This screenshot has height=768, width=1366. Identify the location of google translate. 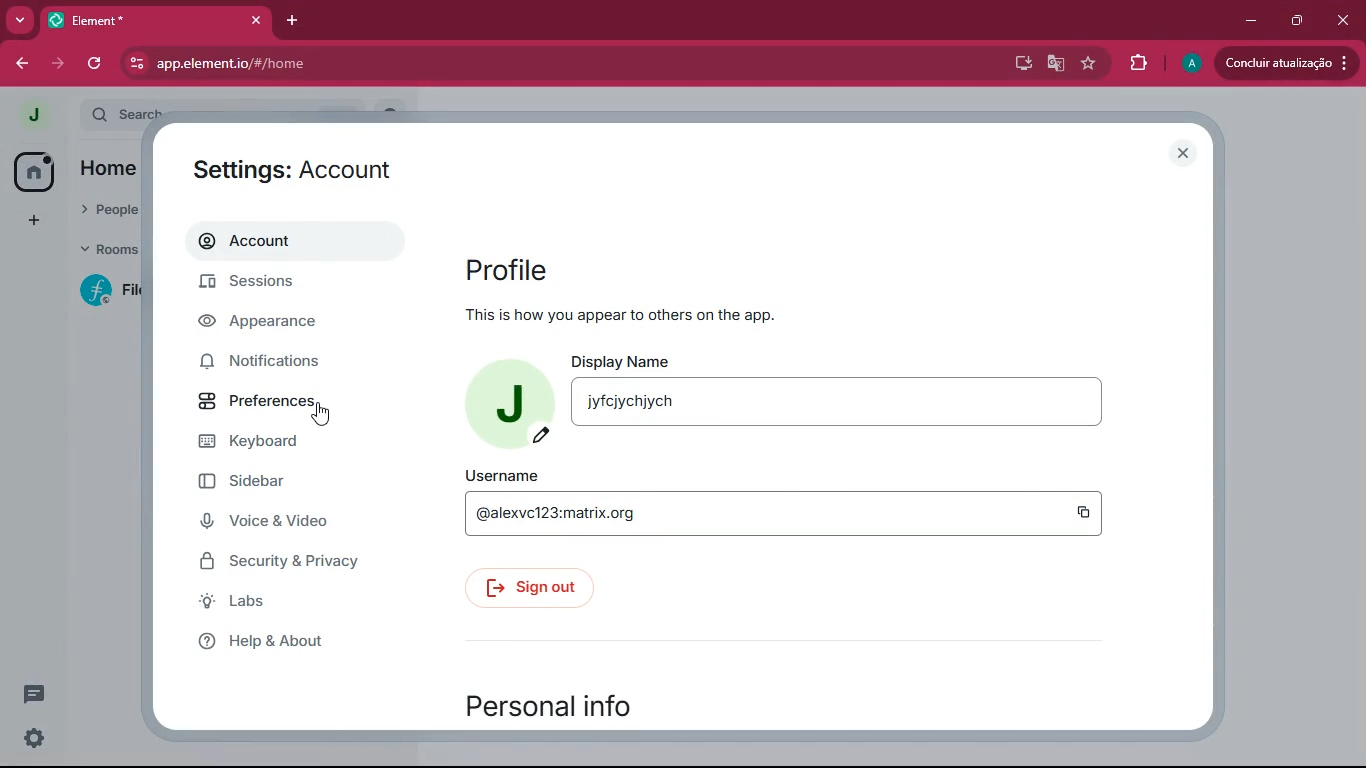
(1054, 65).